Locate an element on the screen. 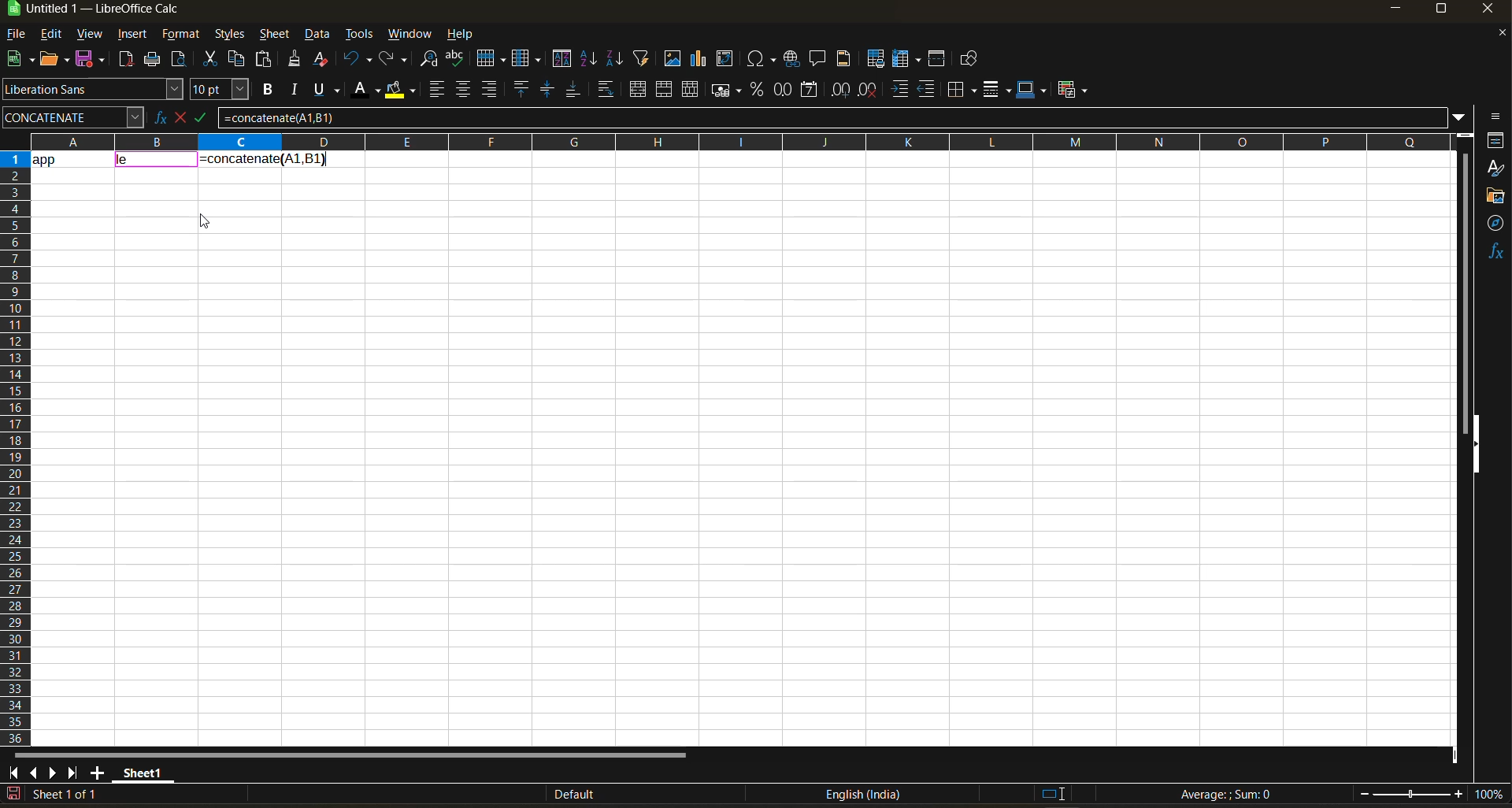 This screenshot has width=1512, height=808. insert chart is located at coordinates (699, 58).